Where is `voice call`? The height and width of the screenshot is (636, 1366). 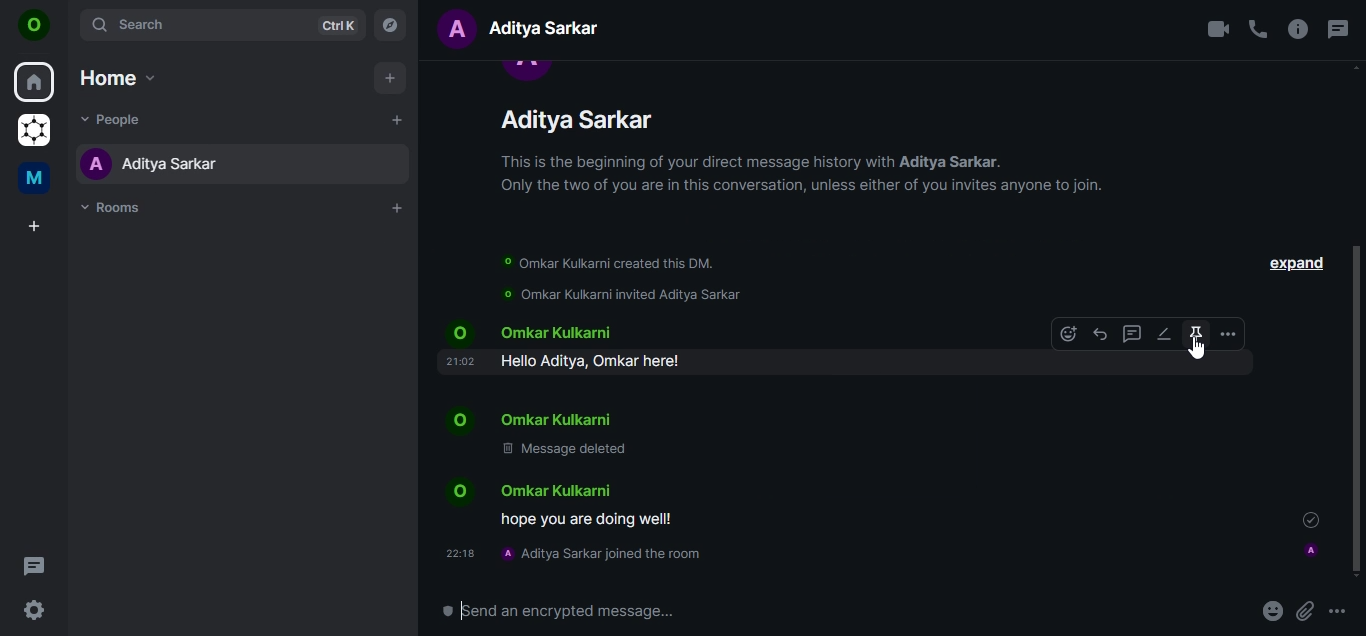 voice call is located at coordinates (1260, 29).